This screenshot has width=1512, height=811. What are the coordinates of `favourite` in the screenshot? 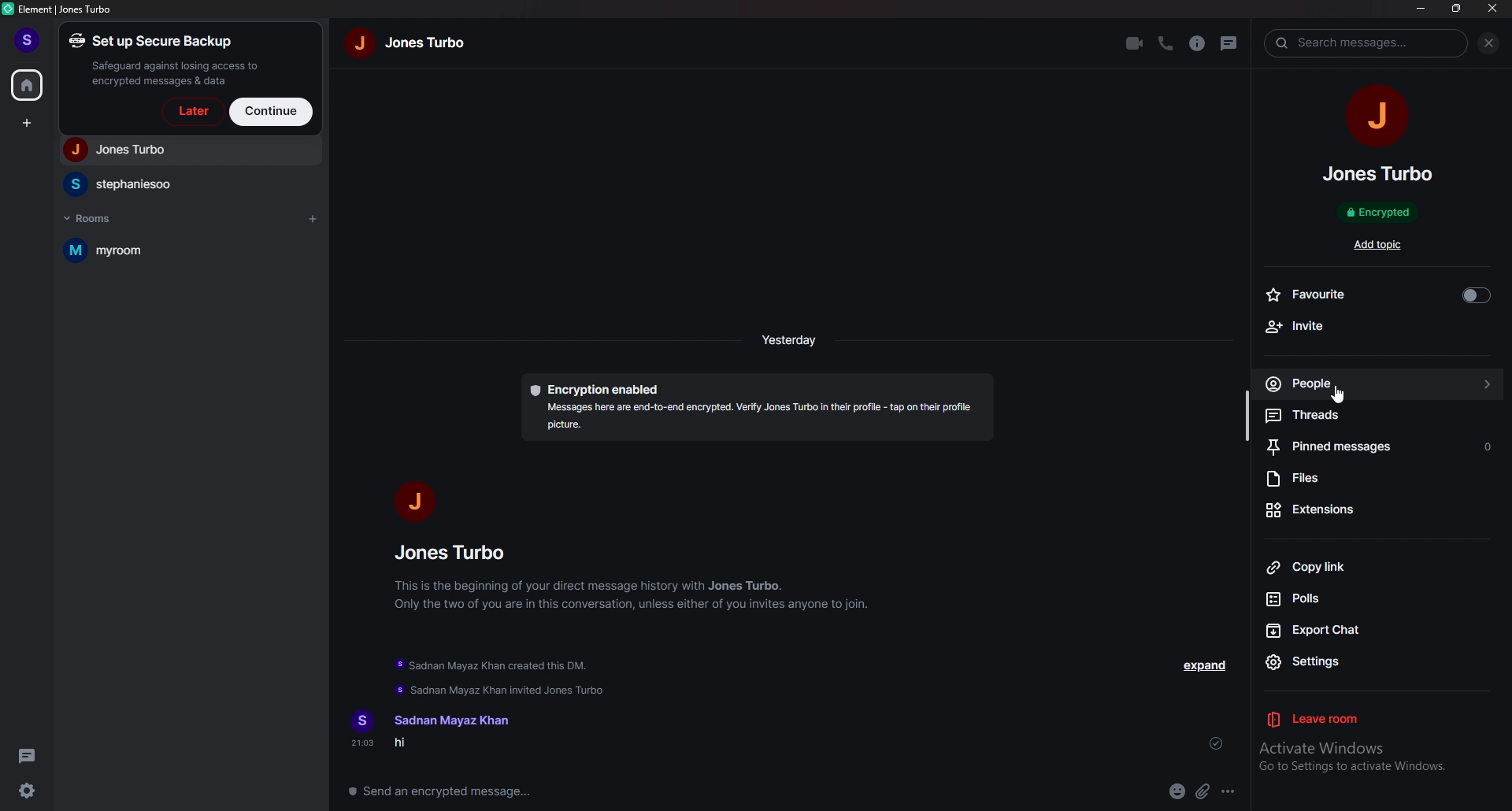 It's located at (1383, 292).